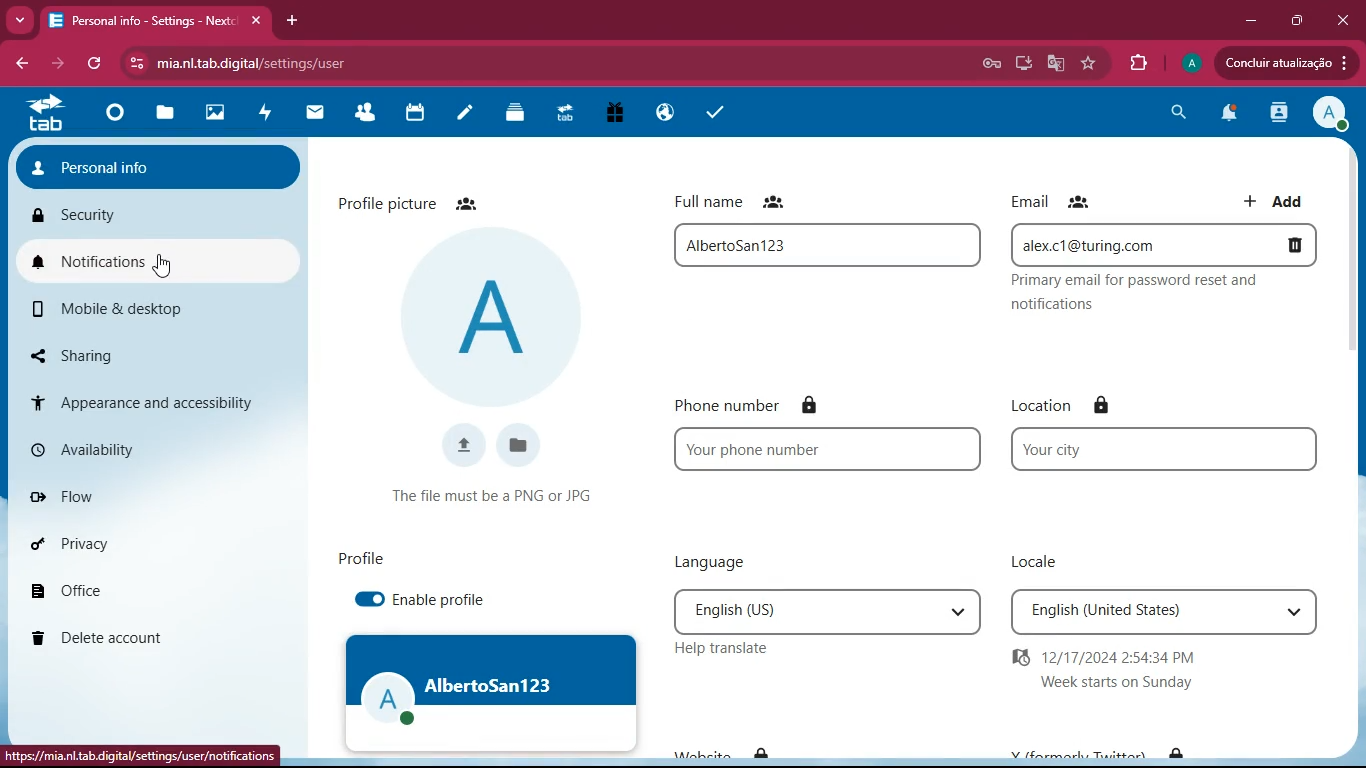 The height and width of the screenshot is (768, 1366). I want to click on layers, so click(511, 112).